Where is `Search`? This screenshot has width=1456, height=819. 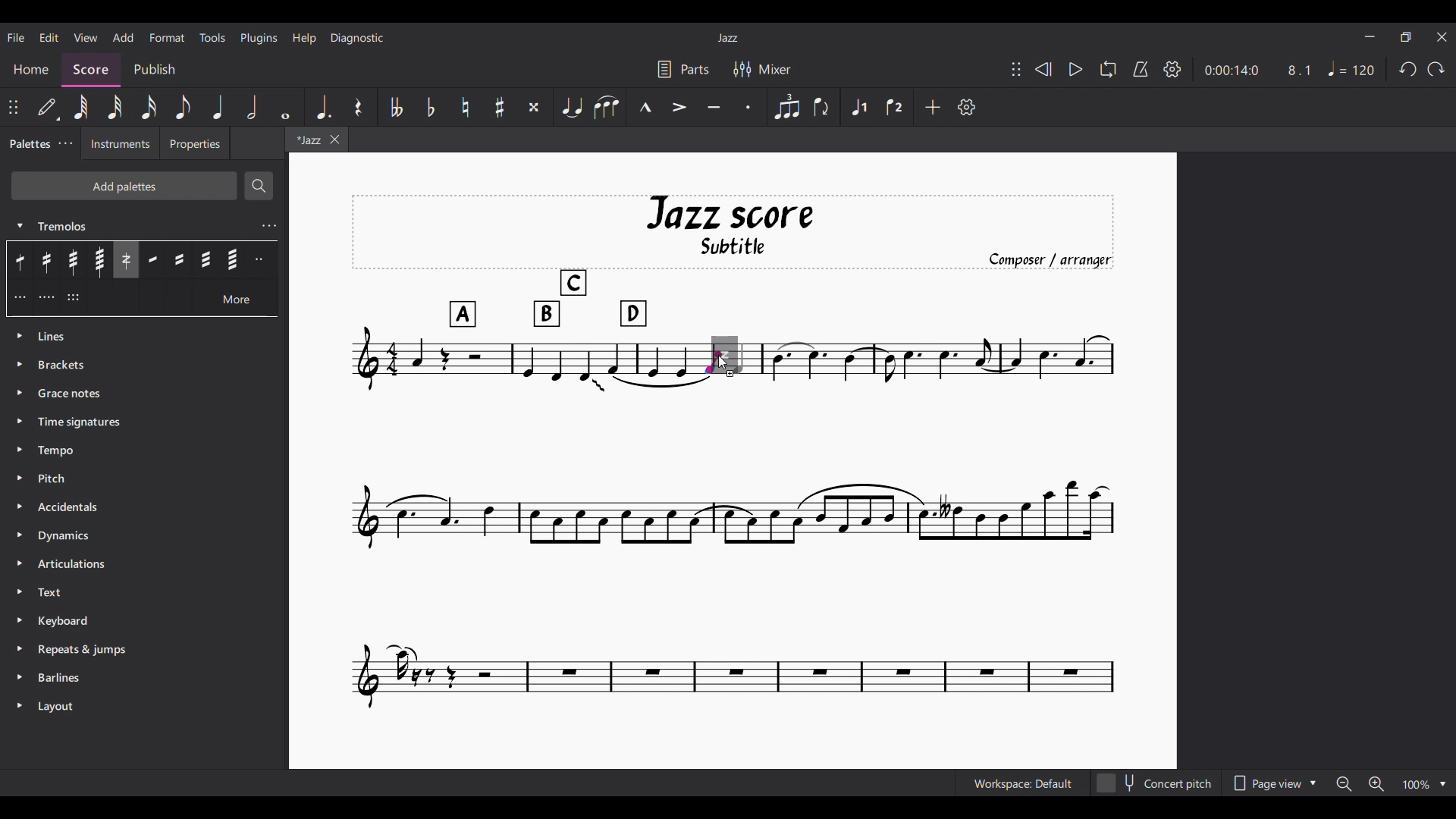 Search is located at coordinates (259, 186).